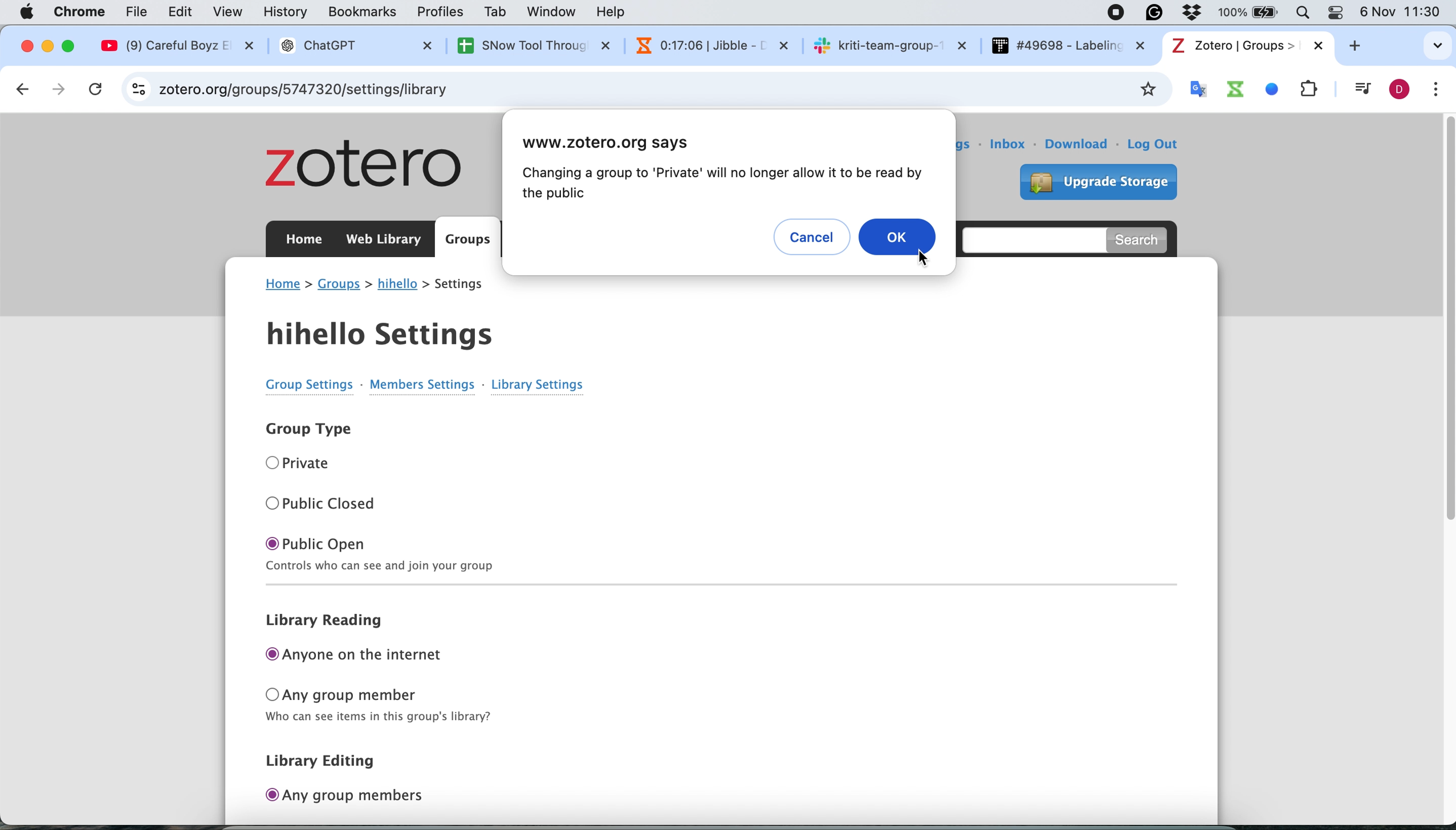  Describe the element at coordinates (1010, 144) in the screenshot. I see `inbox` at that location.